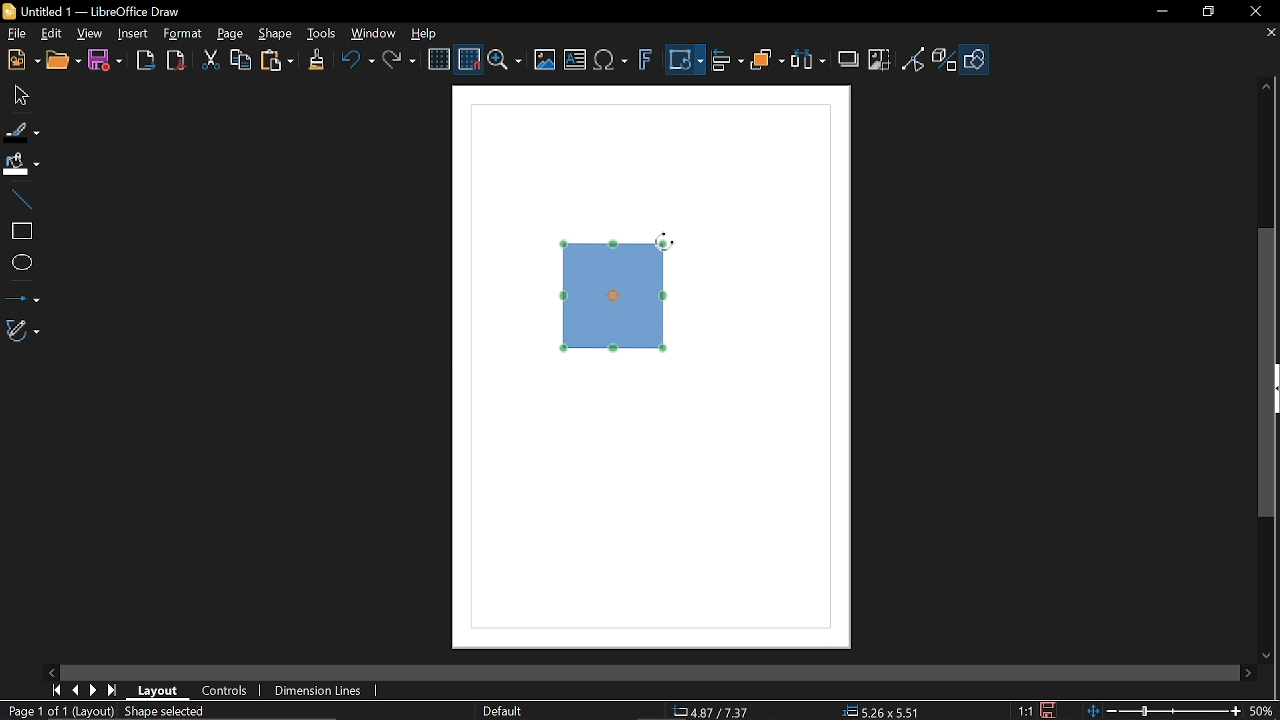 This screenshot has height=720, width=1280. Describe the element at coordinates (546, 60) in the screenshot. I see `Insert image` at that location.